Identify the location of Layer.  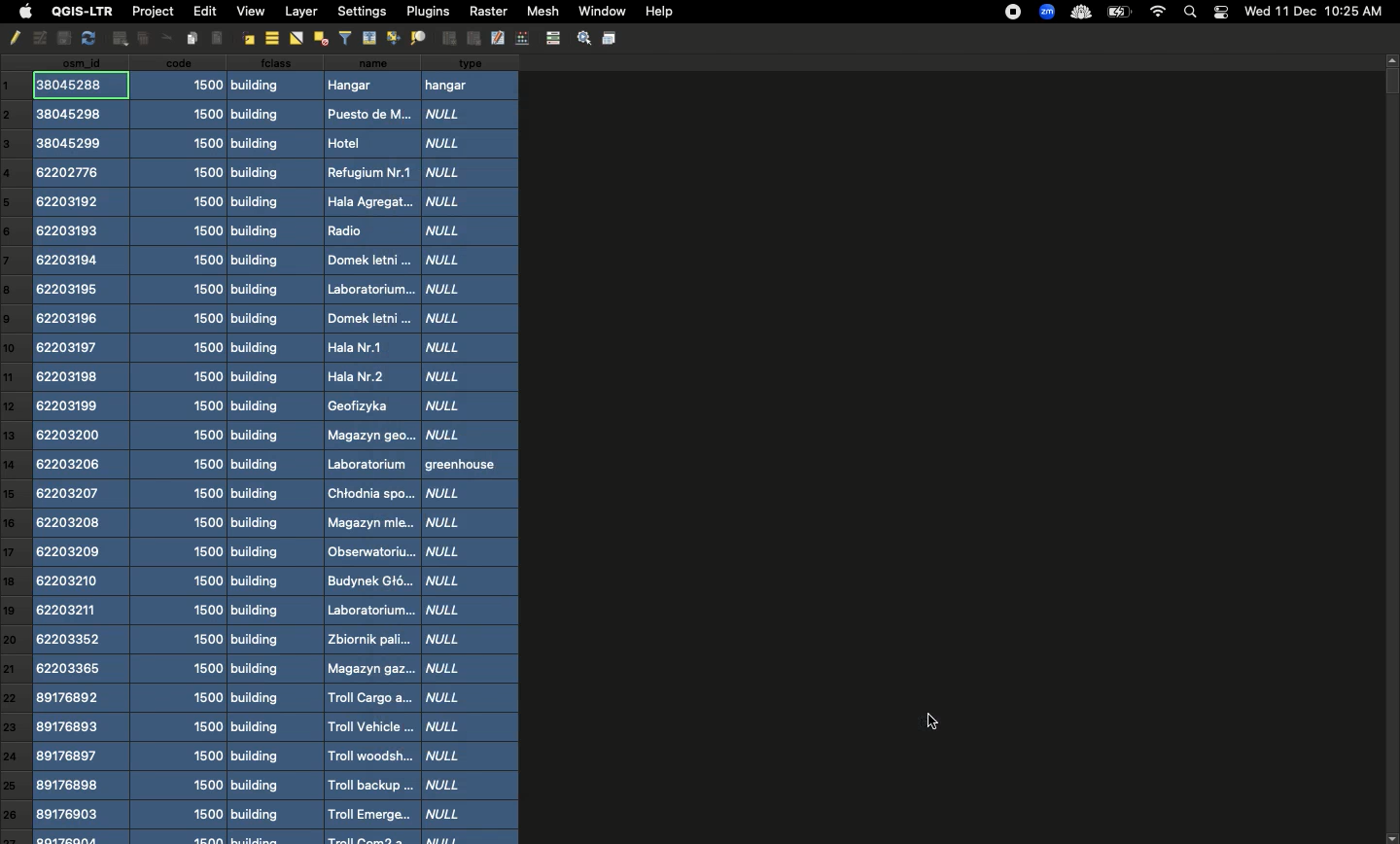
(301, 12).